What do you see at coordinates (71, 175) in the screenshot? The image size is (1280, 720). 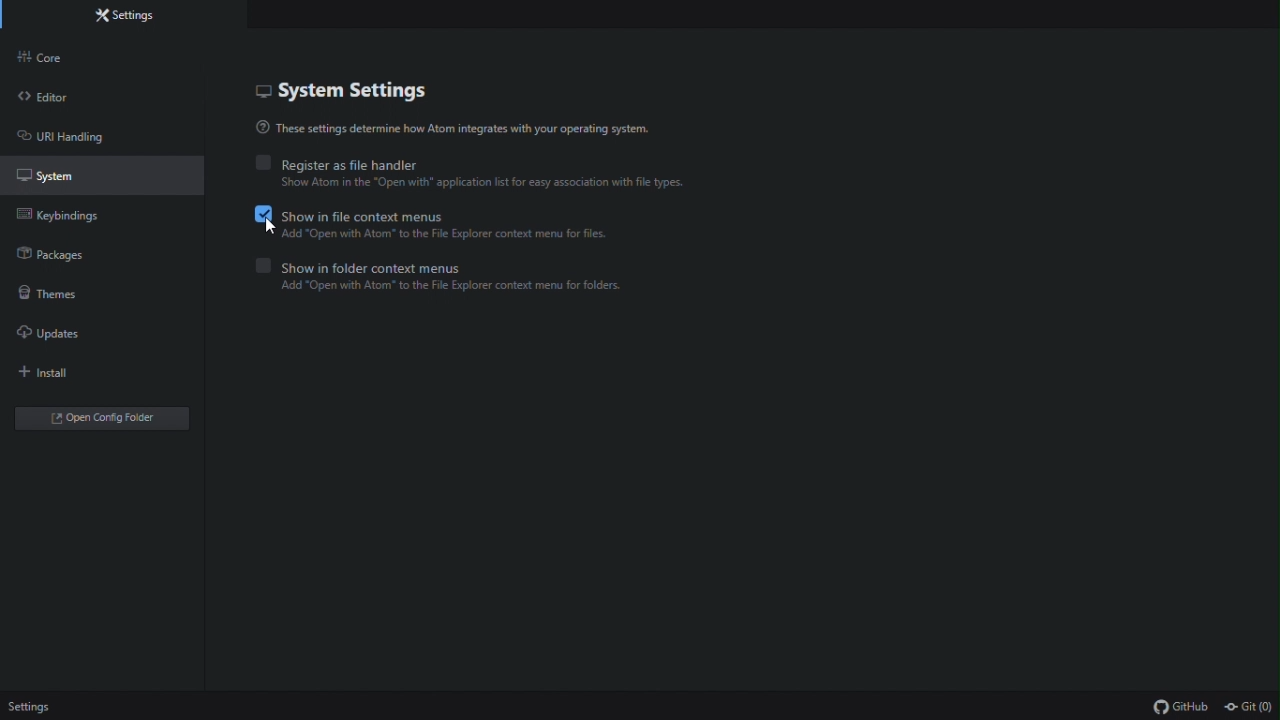 I see `System` at bounding box center [71, 175].